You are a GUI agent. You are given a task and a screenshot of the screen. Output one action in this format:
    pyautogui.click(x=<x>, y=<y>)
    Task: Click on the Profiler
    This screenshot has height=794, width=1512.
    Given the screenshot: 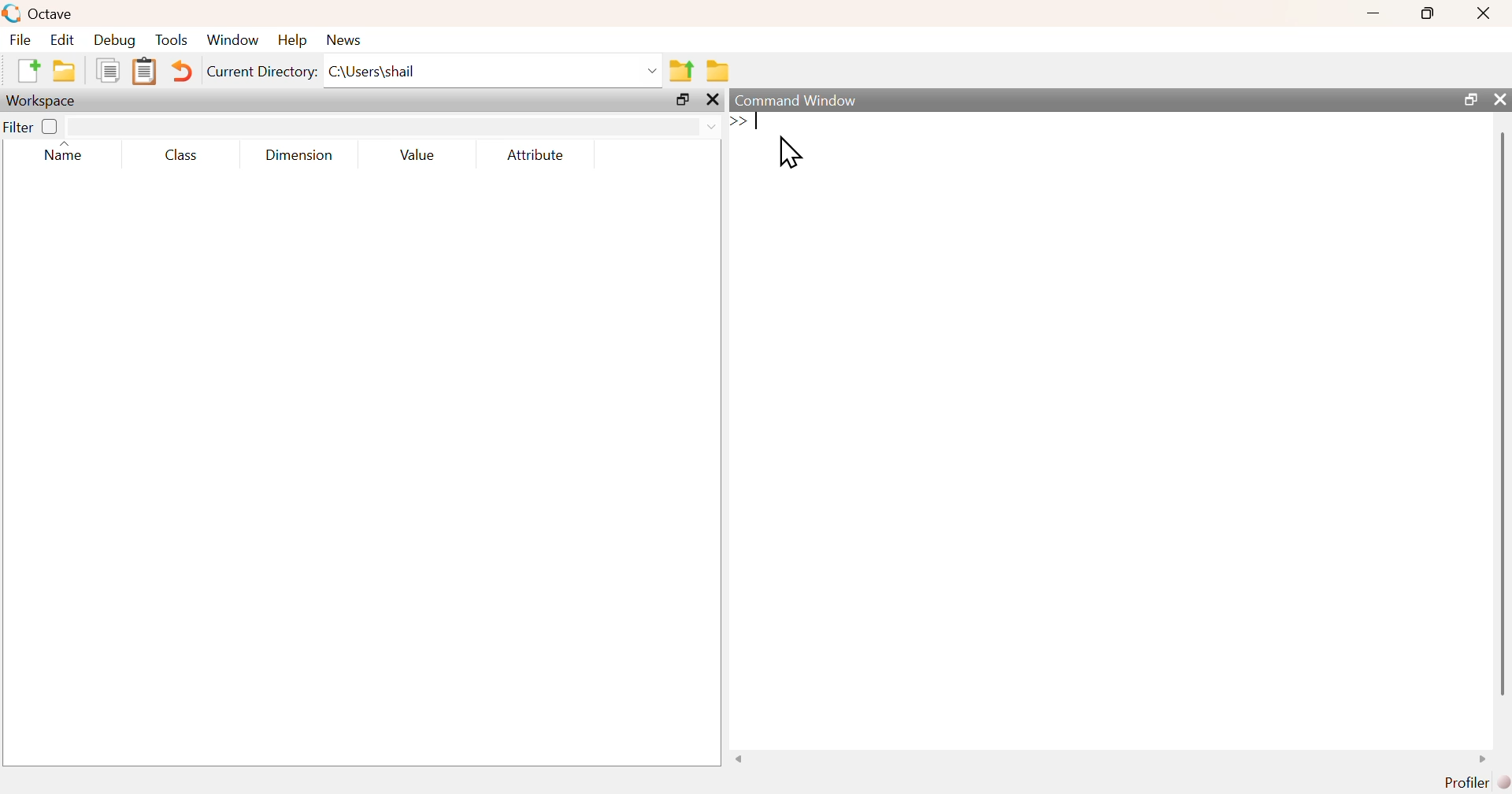 What is the action you would take?
    pyautogui.click(x=1477, y=783)
    